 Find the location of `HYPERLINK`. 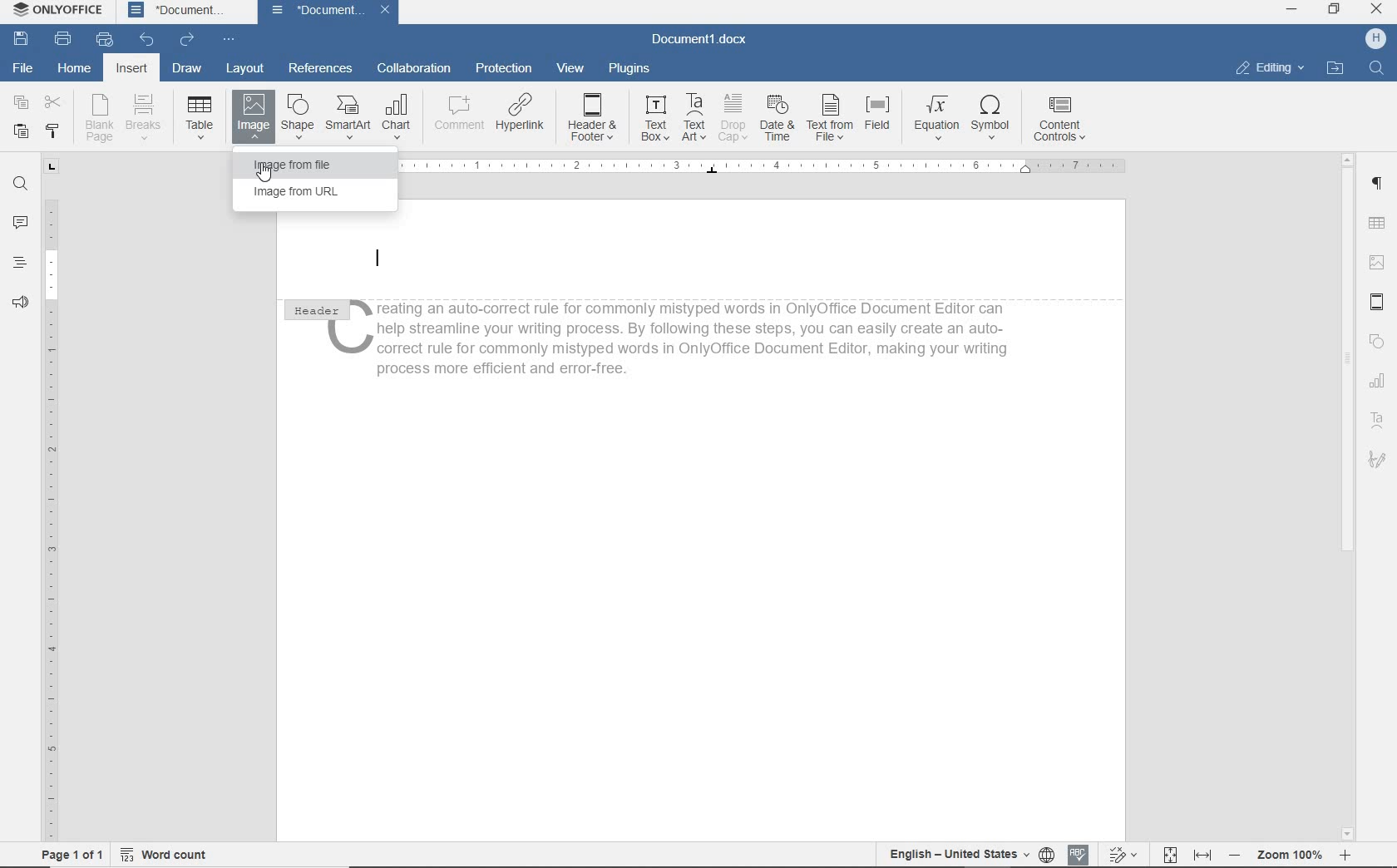

HYPERLINK is located at coordinates (521, 121).